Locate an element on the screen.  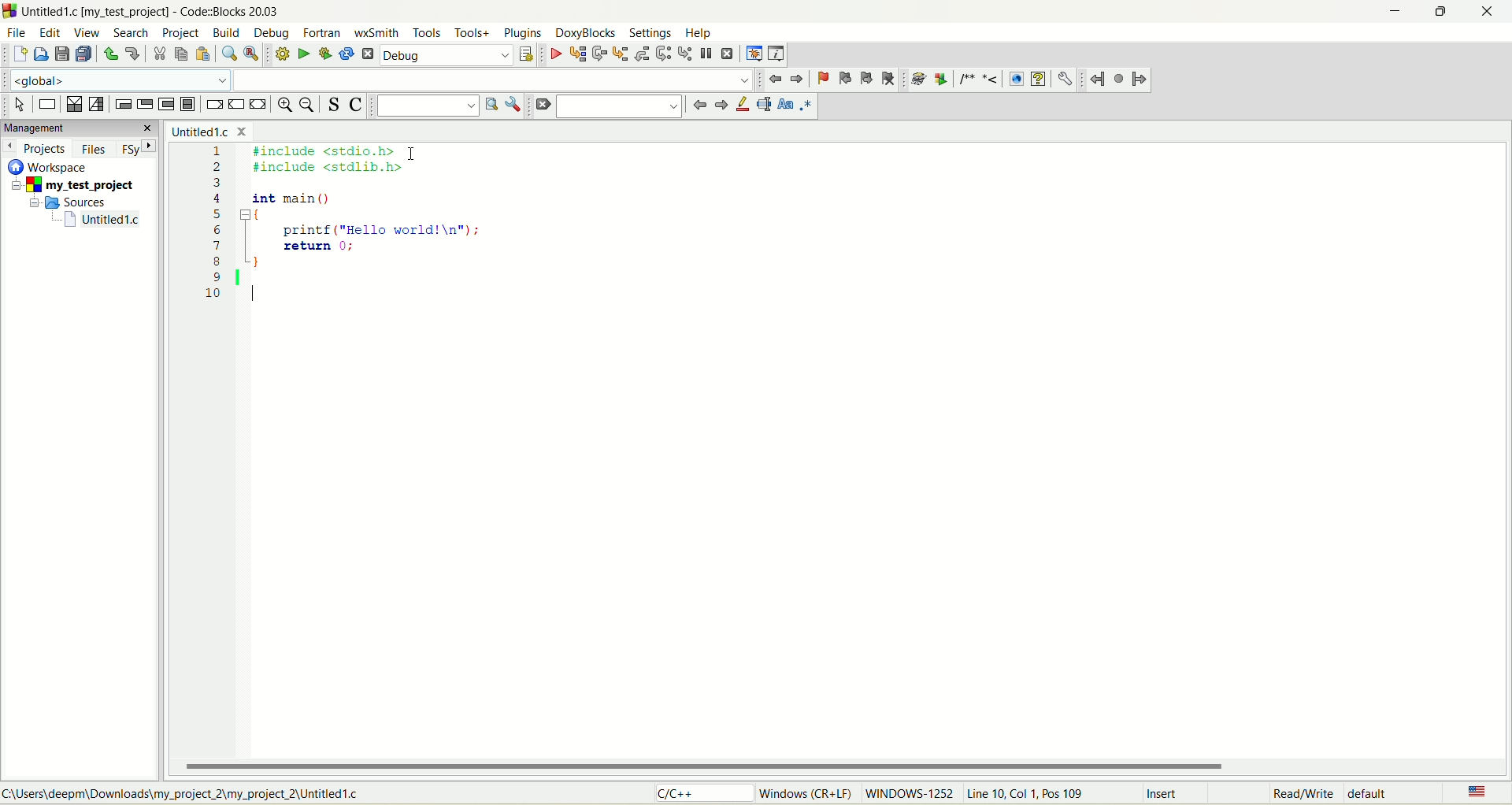
run is located at coordinates (301, 54).